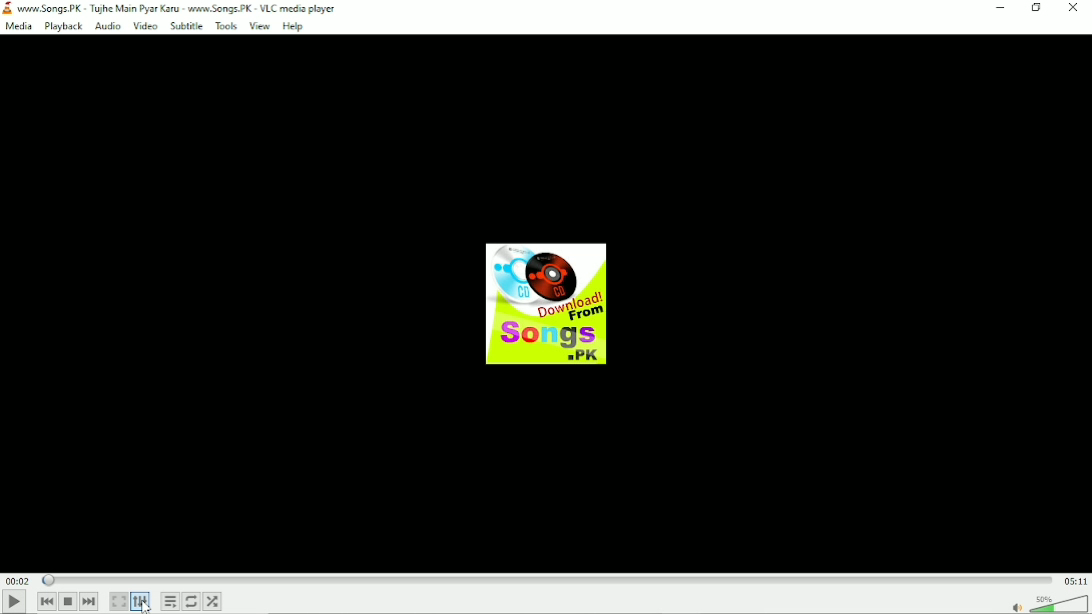  I want to click on Toggle between loop all, loop one and no loop, so click(191, 601).